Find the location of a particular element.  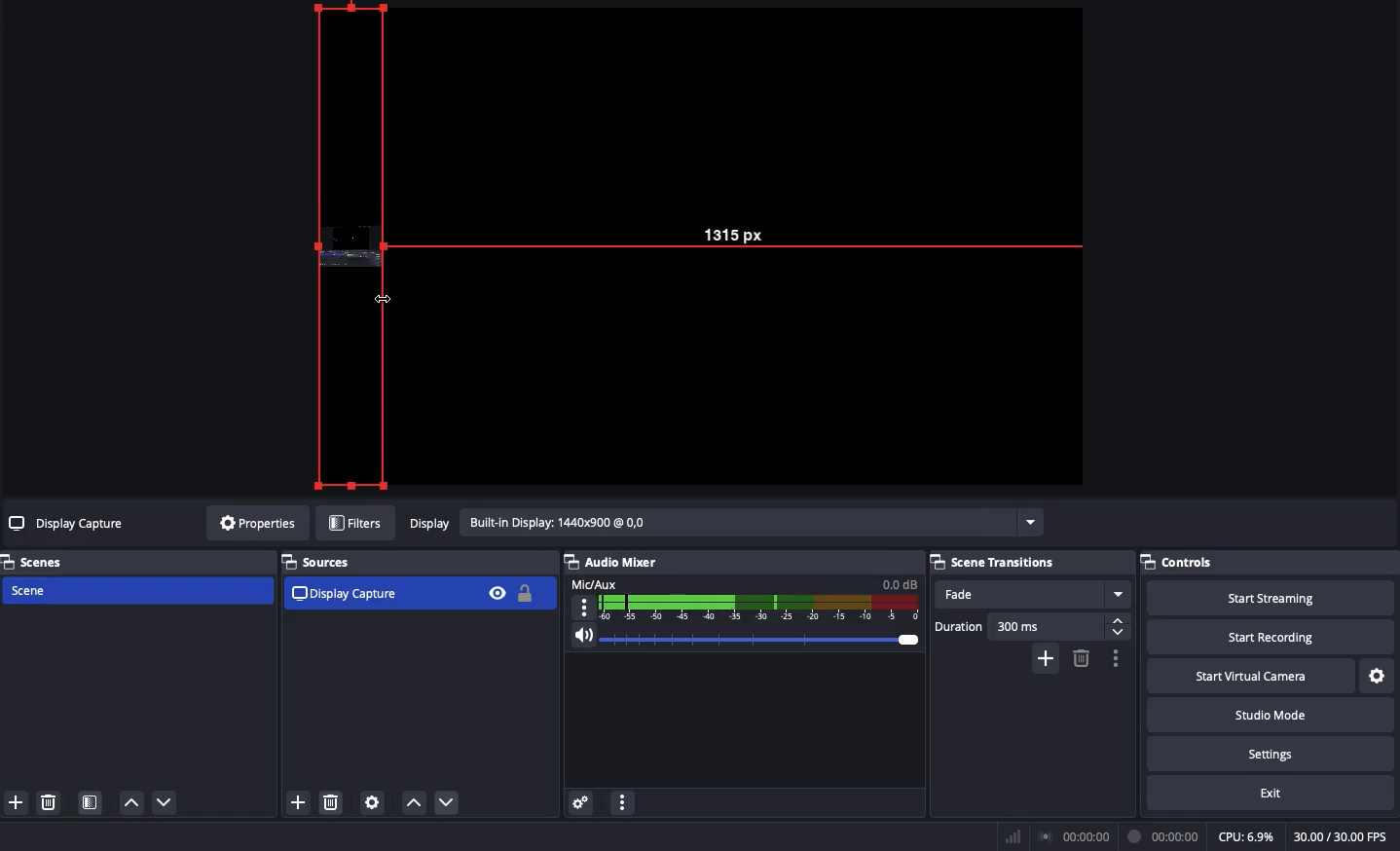

Controls is located at coordinates (1270, 562).